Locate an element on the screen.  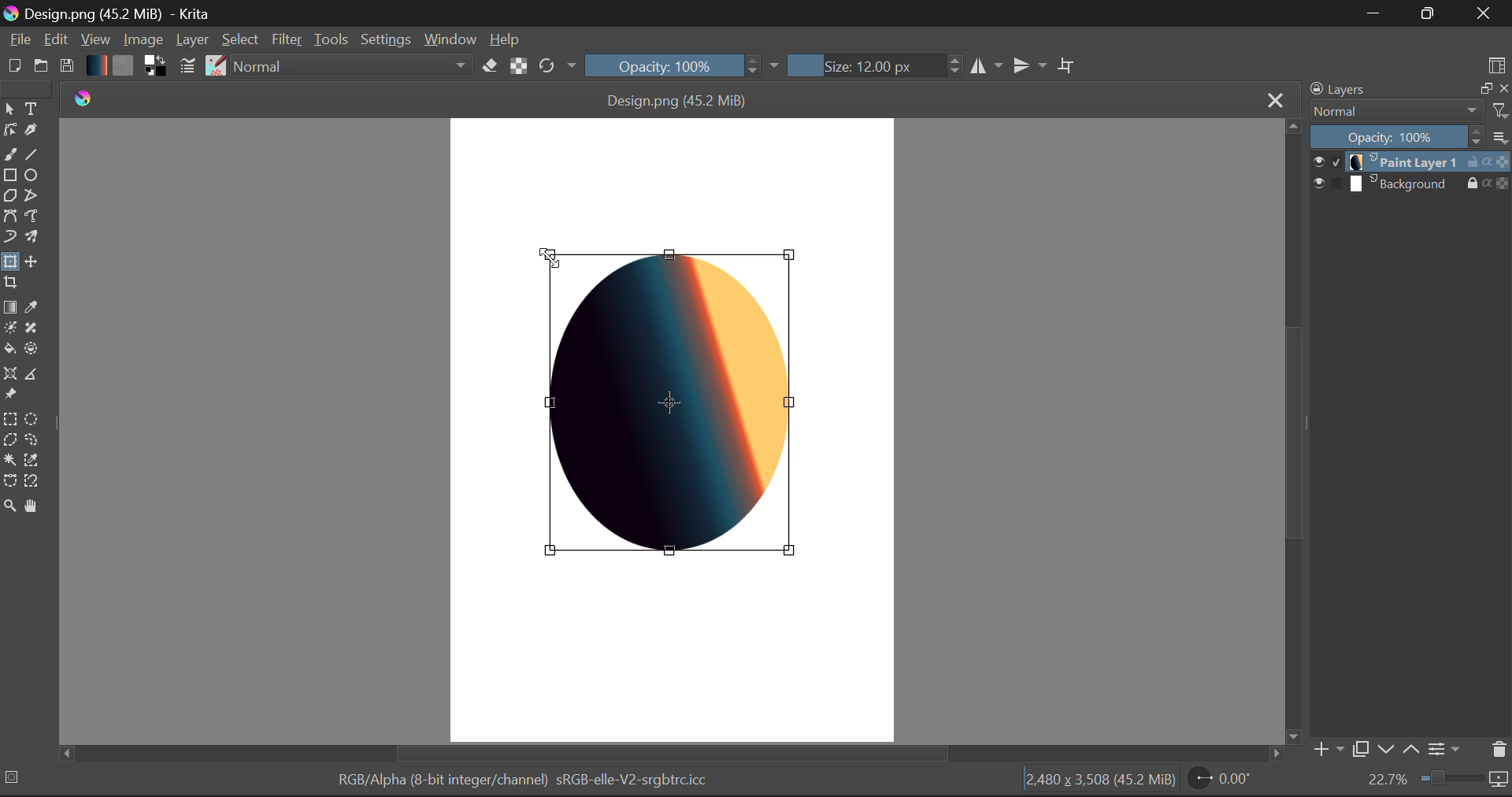
Image is located at coordinates (142, 39).